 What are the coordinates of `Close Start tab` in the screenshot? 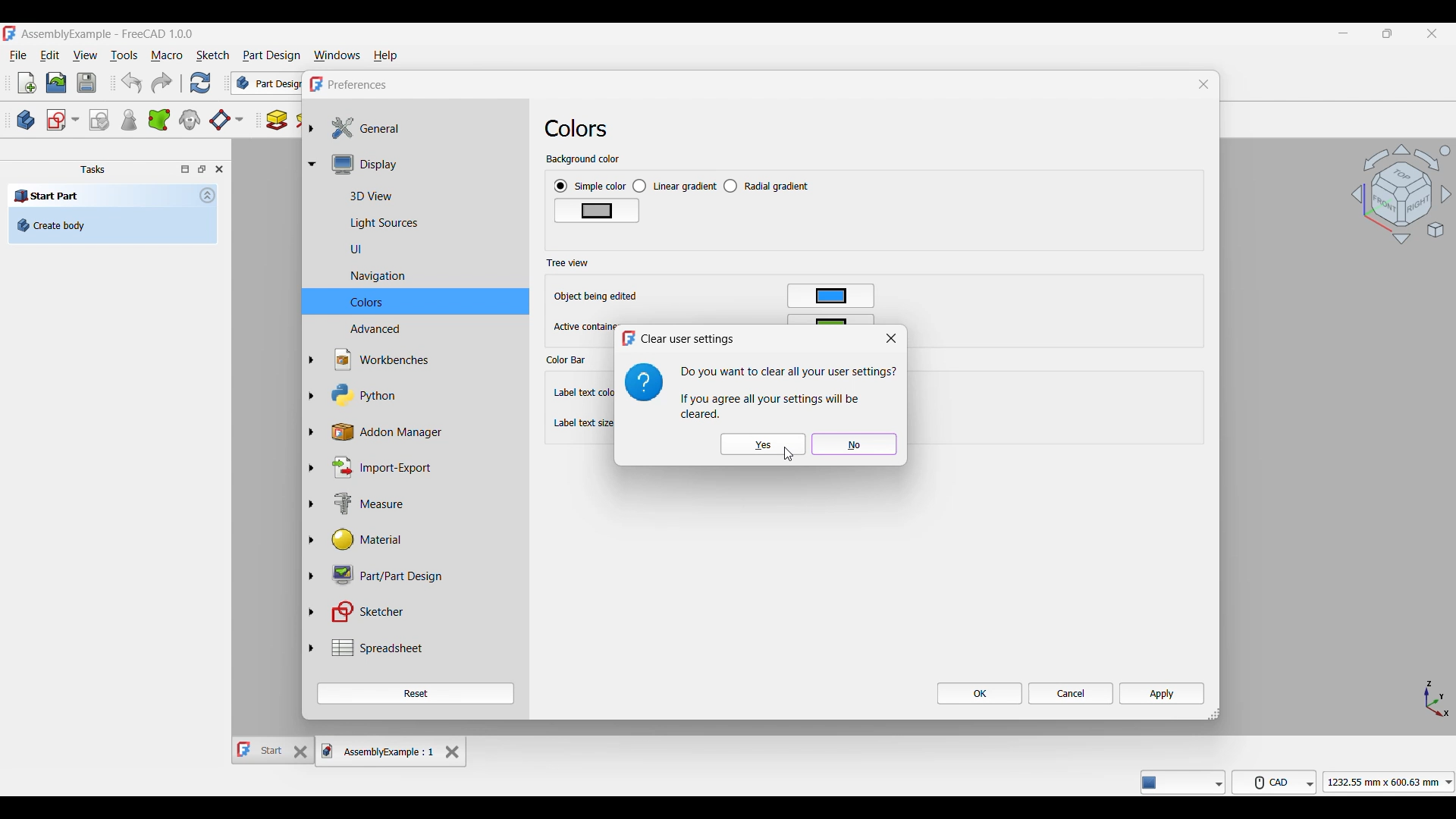 It's located at (301, 752).